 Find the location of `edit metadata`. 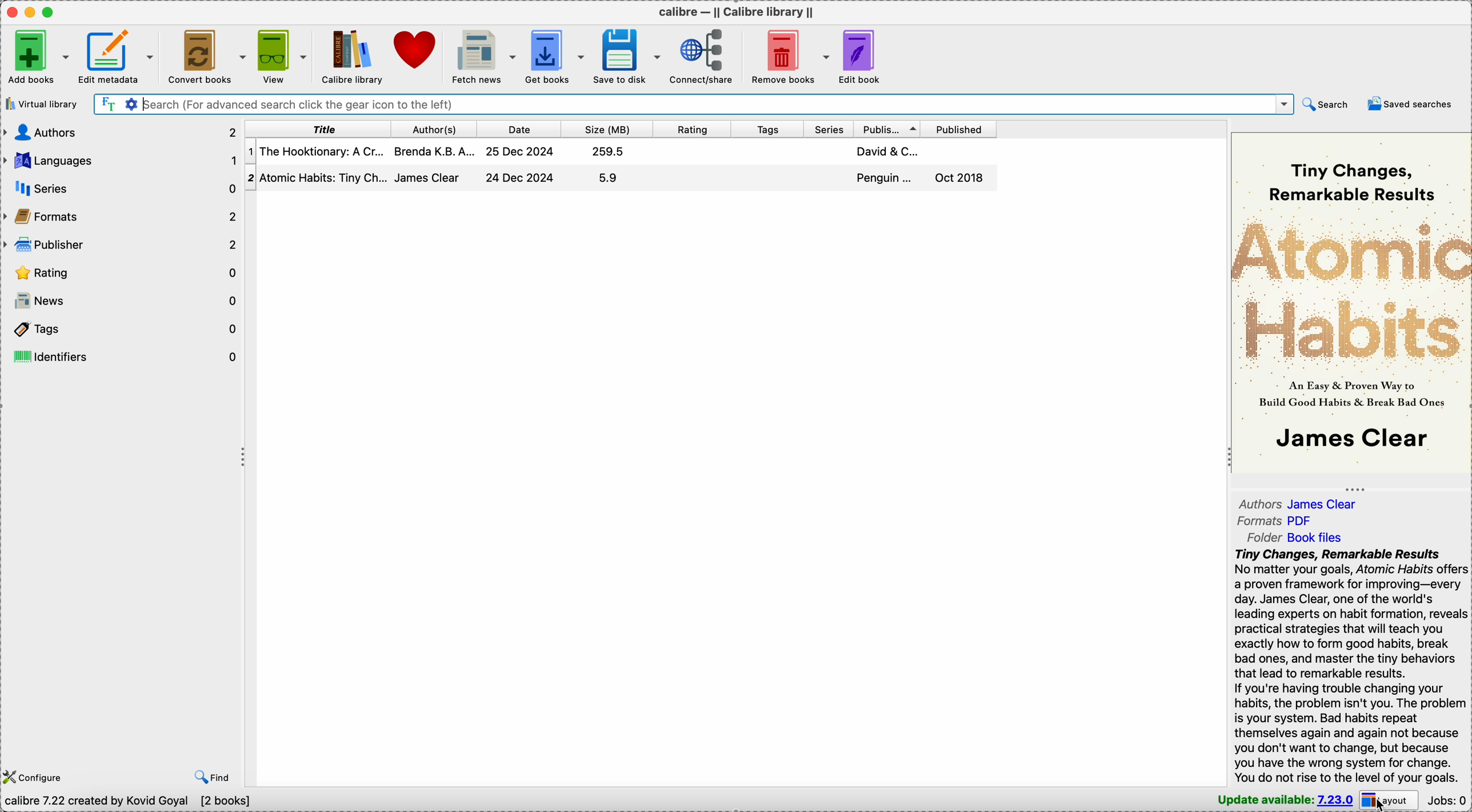

edit metadata is located at coordinates (115, 57).